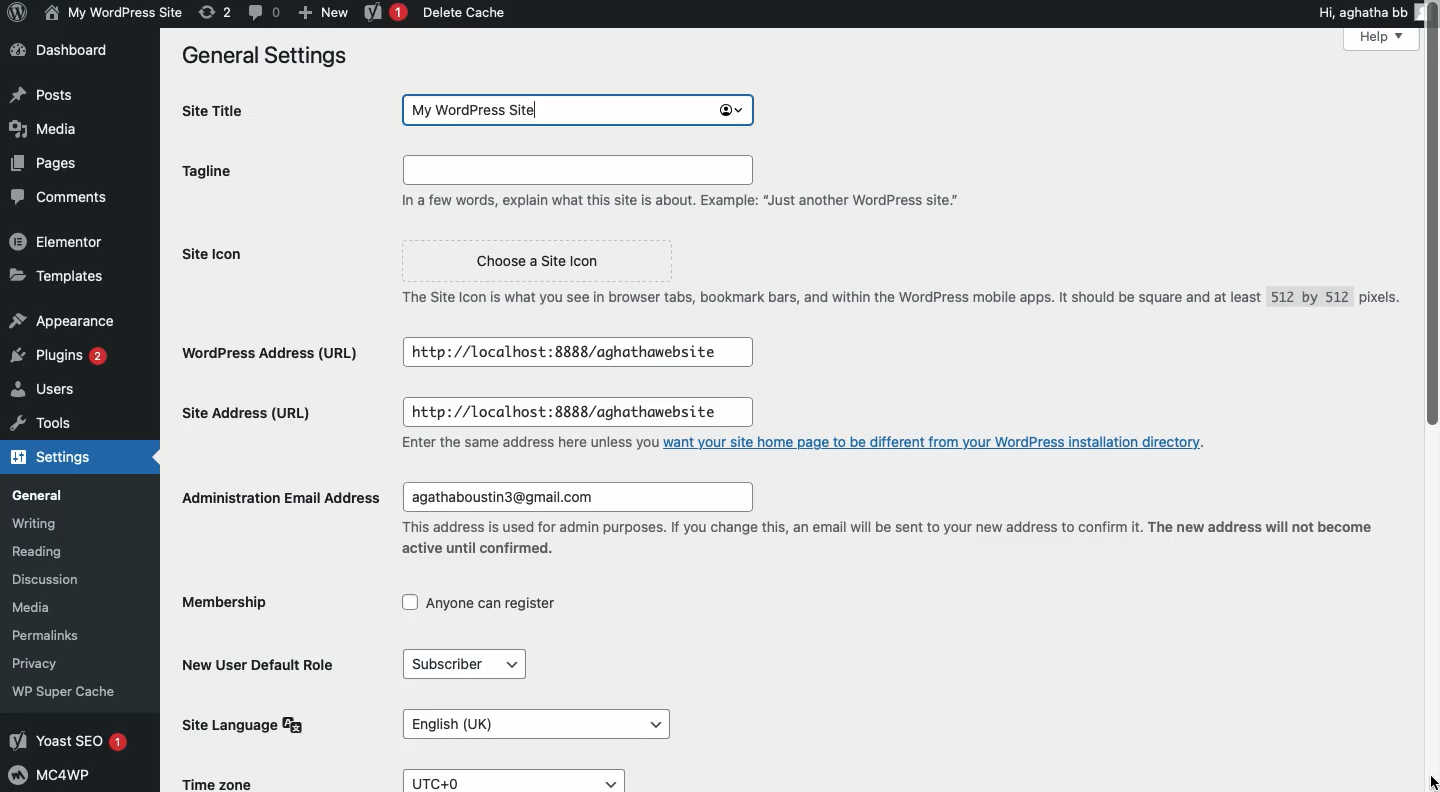 The width and height of the screenshot is (1440, 792). Describe the element at coordinates (223, 786) in the screenshot. I see `Time Zone` at that location.